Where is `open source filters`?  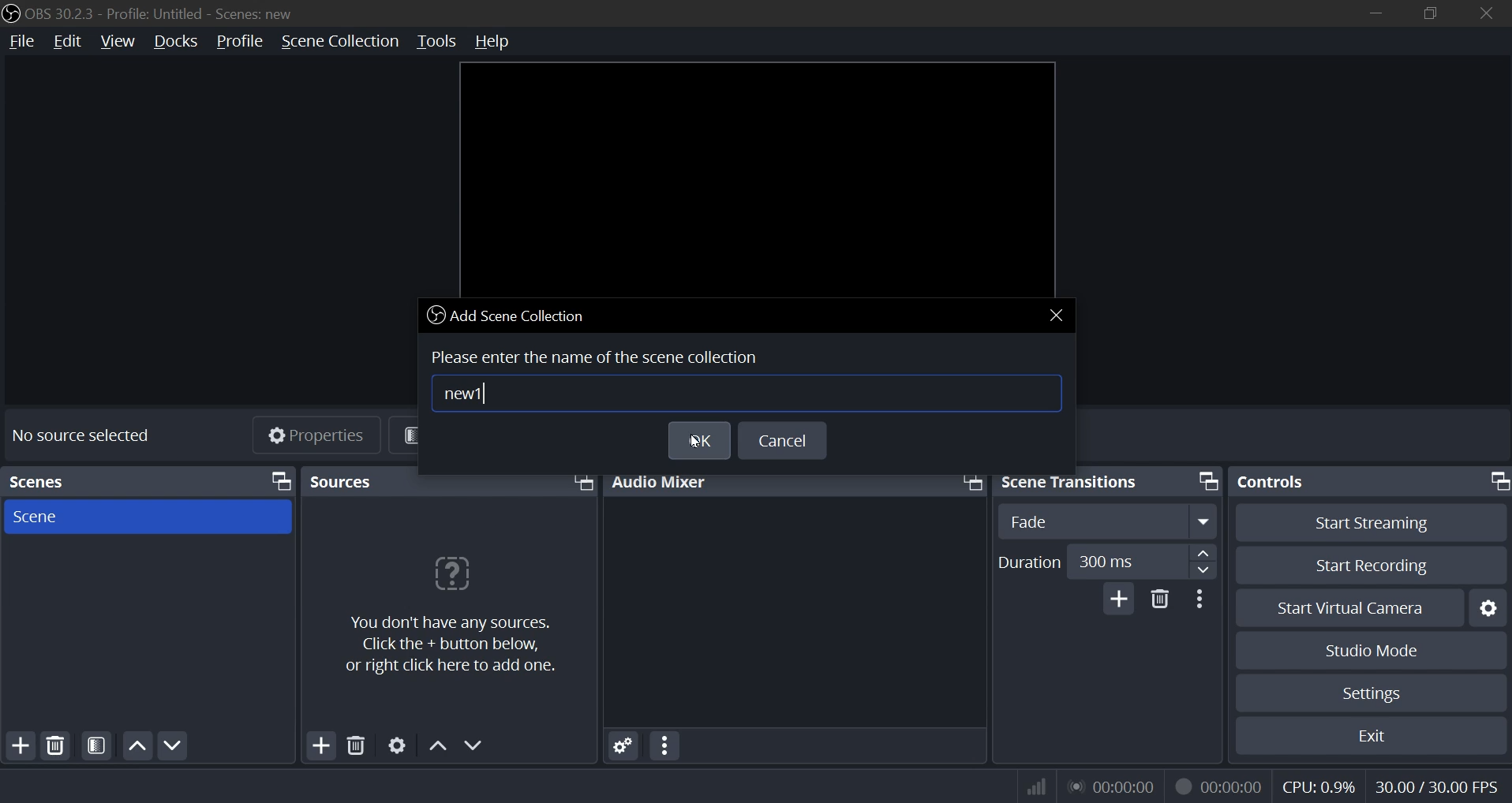 open source filters is located at coordinates (95, 745).